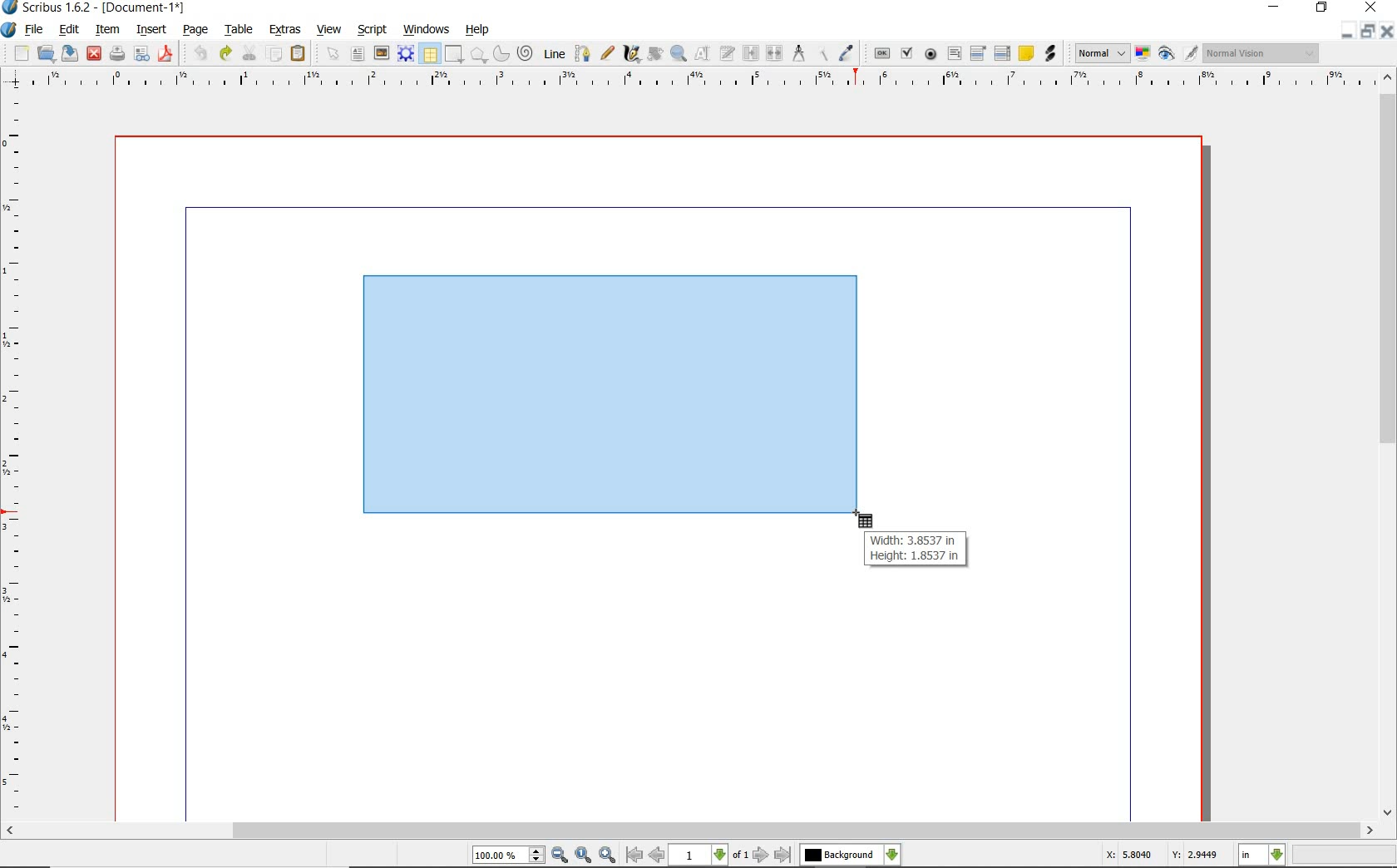  What do you see at coordinates (1345, 32) in the screenshot?
I see `minimize` at bounding box center [1345, 32].